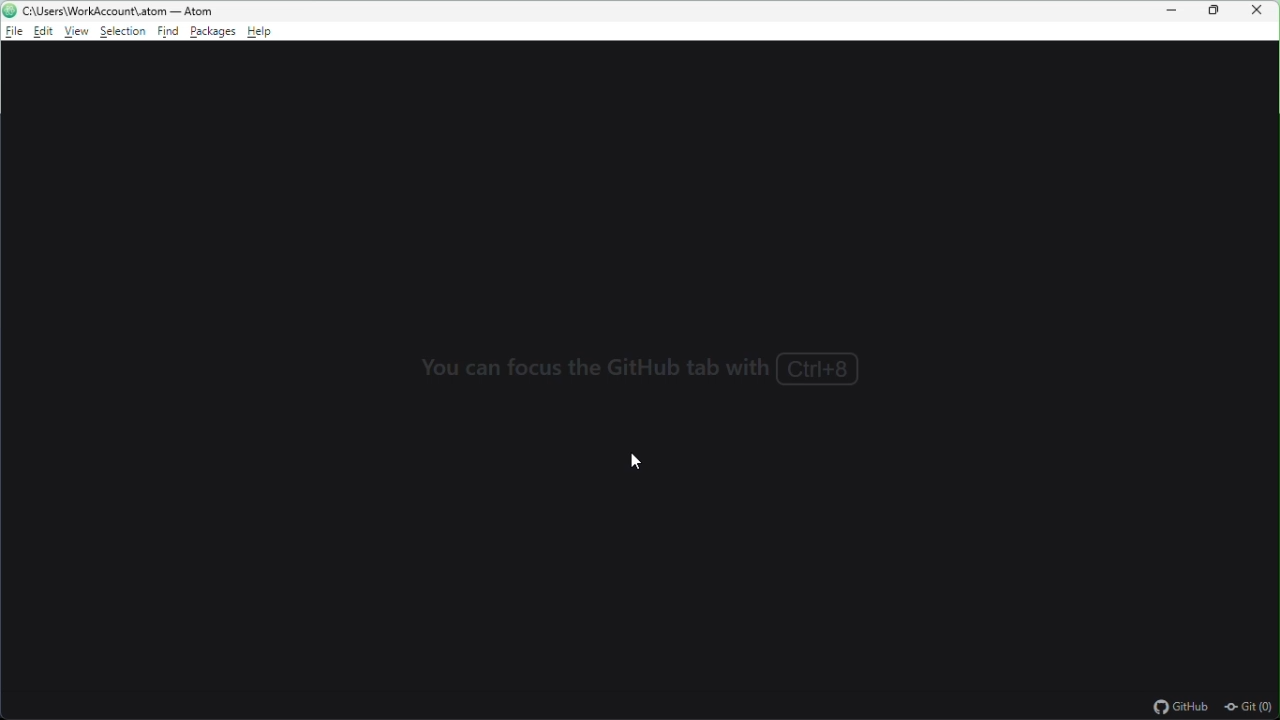  Describe the element at coordinates (634, 462) in the screenshot. I see `mouse pointer` at that location.